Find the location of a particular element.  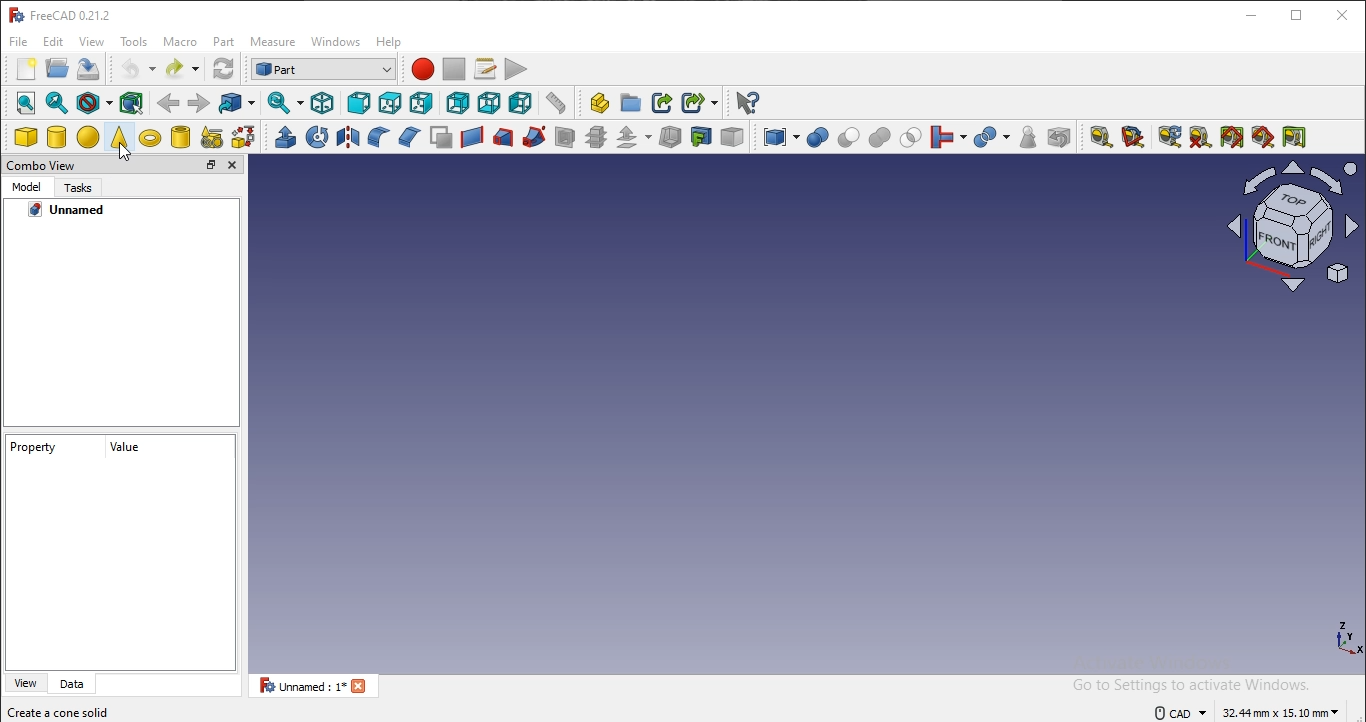

join objects is located at coordinates (943, 137).